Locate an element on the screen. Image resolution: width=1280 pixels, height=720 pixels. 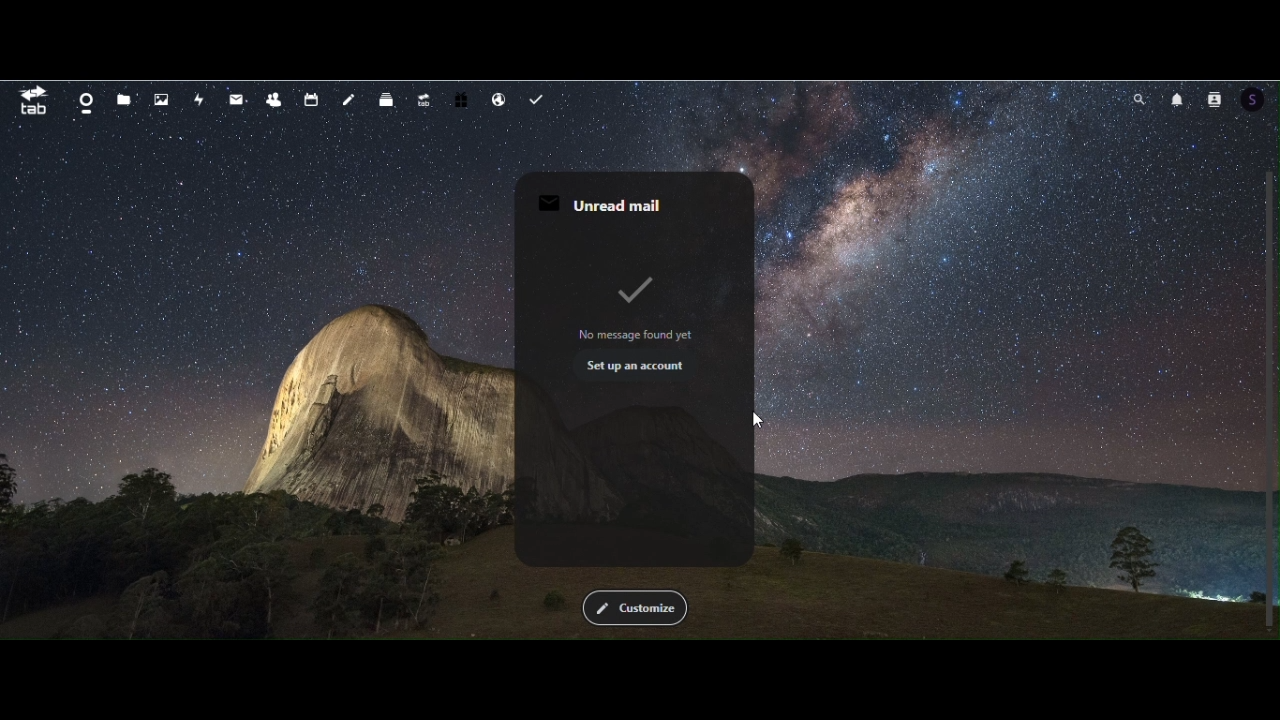
Account icon  is located at coordinates (1260, 102).